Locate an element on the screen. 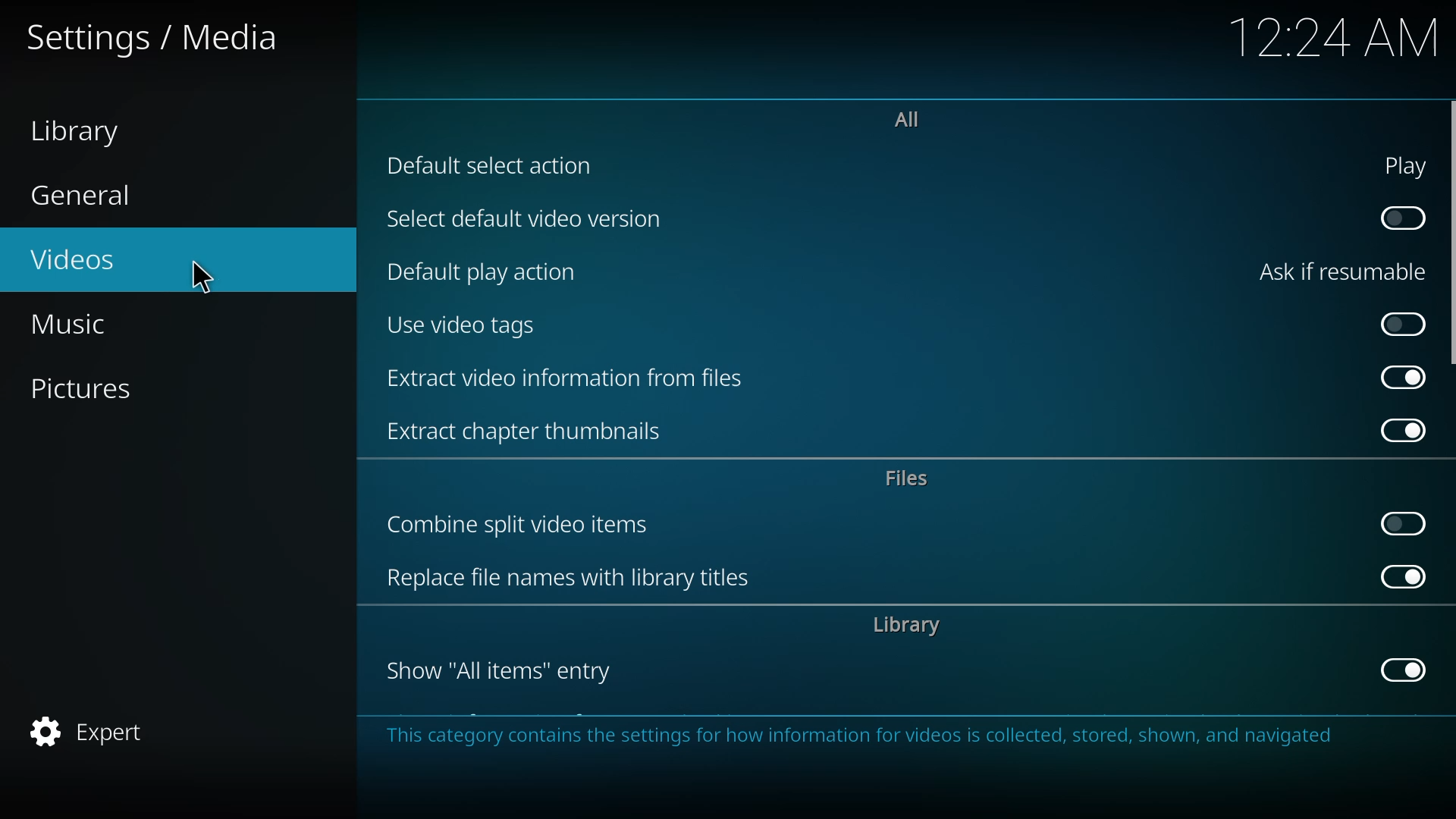  enabled is located at coordinates (1399, 377).